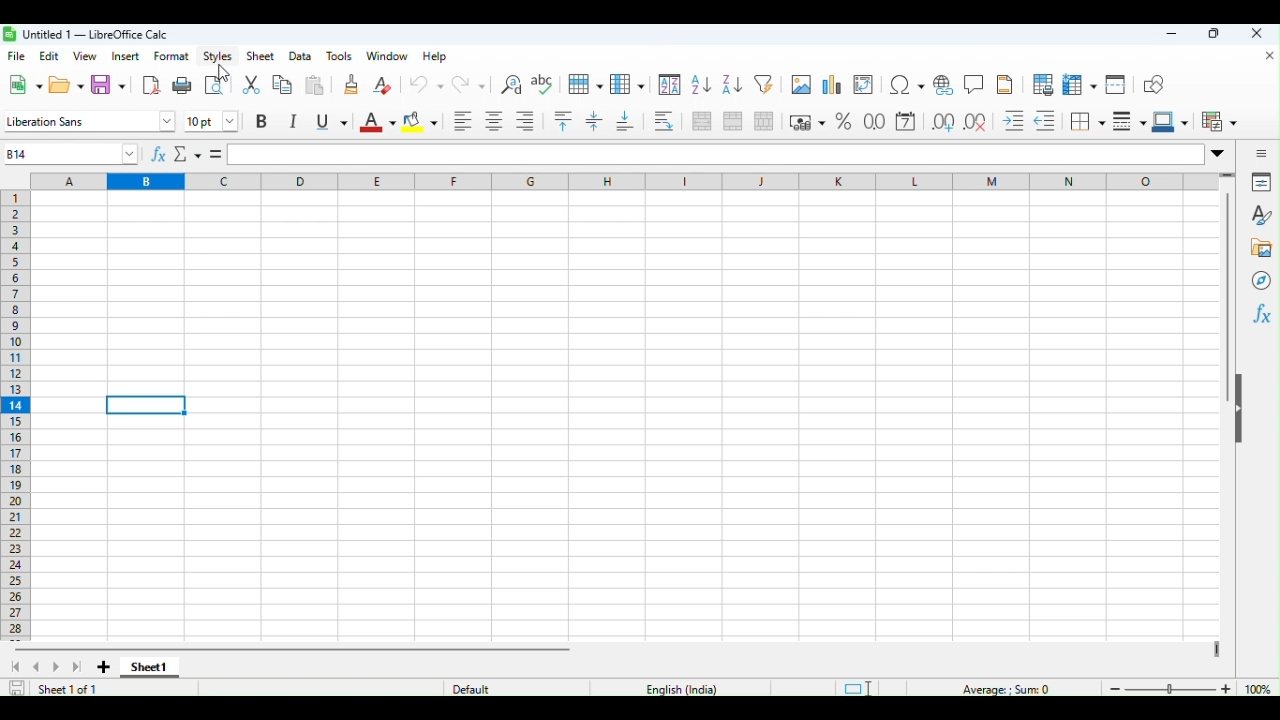 Image resolution: width=1280 pixels, height=720 pixels. I want to click on cursor, so click(227, 73).